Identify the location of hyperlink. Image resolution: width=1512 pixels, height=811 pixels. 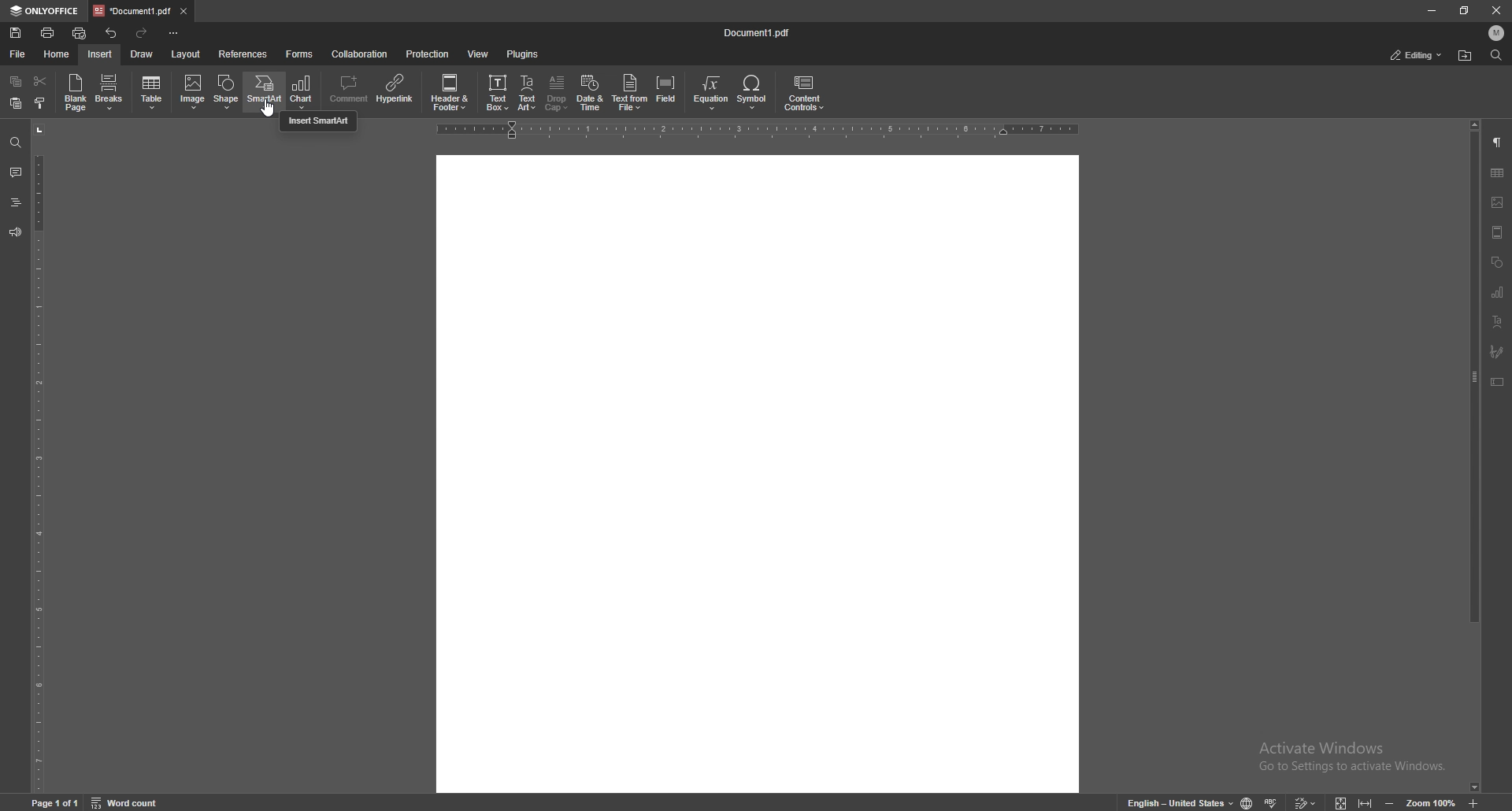
(395, 91).